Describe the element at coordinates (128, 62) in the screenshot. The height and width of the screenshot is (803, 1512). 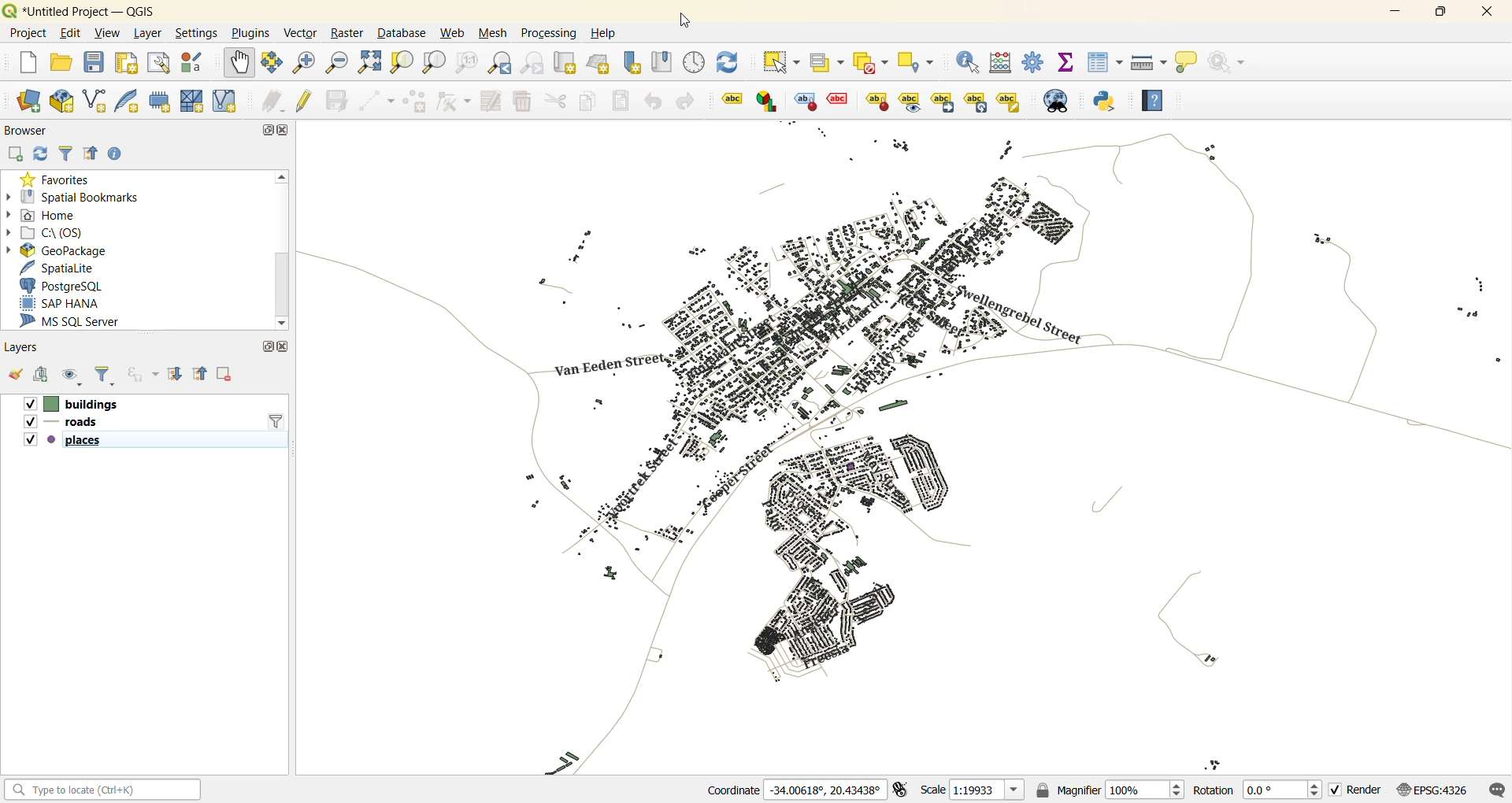
I see `print layout` at that location.